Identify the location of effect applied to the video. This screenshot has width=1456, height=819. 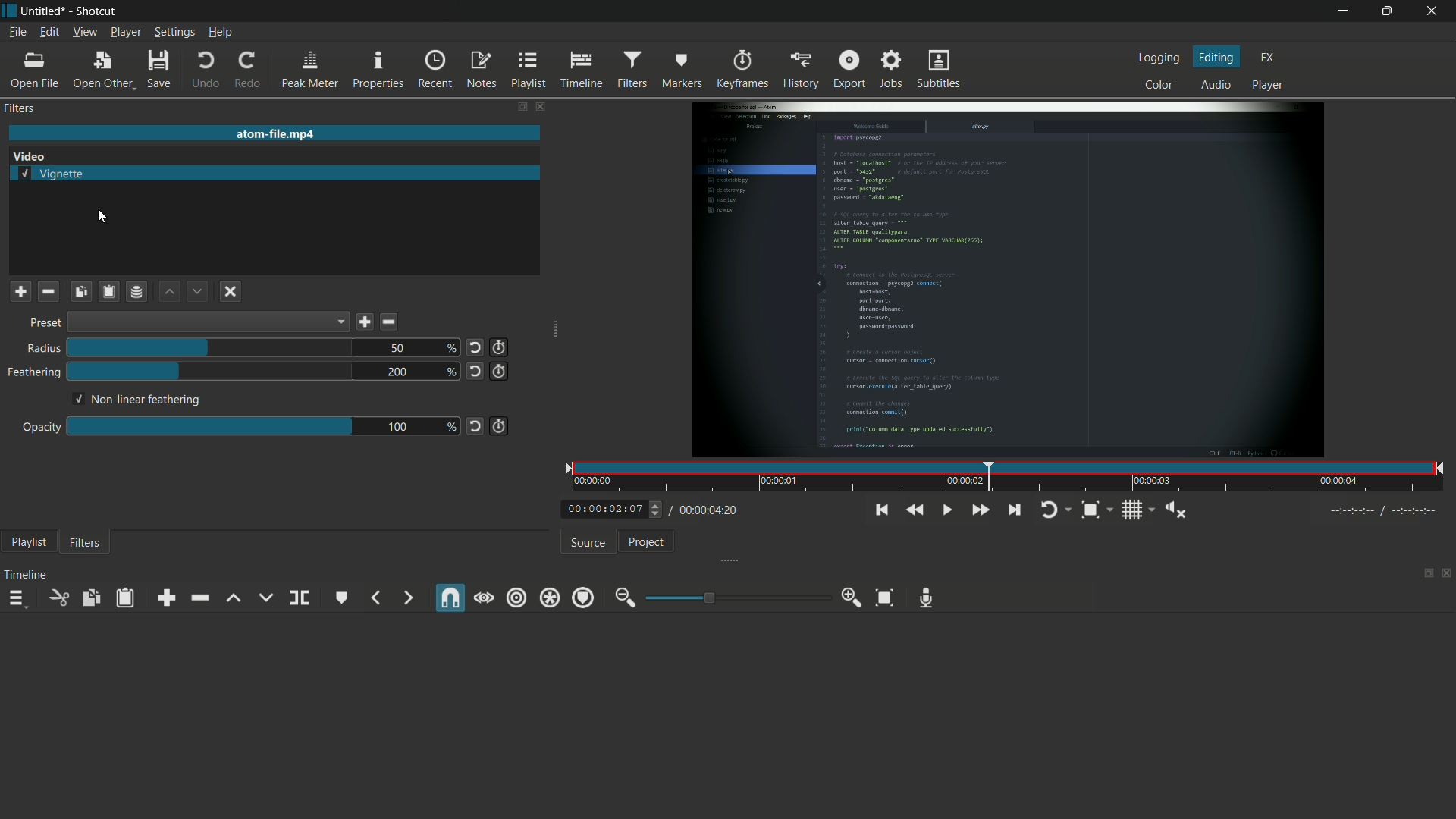
(1007, 279).